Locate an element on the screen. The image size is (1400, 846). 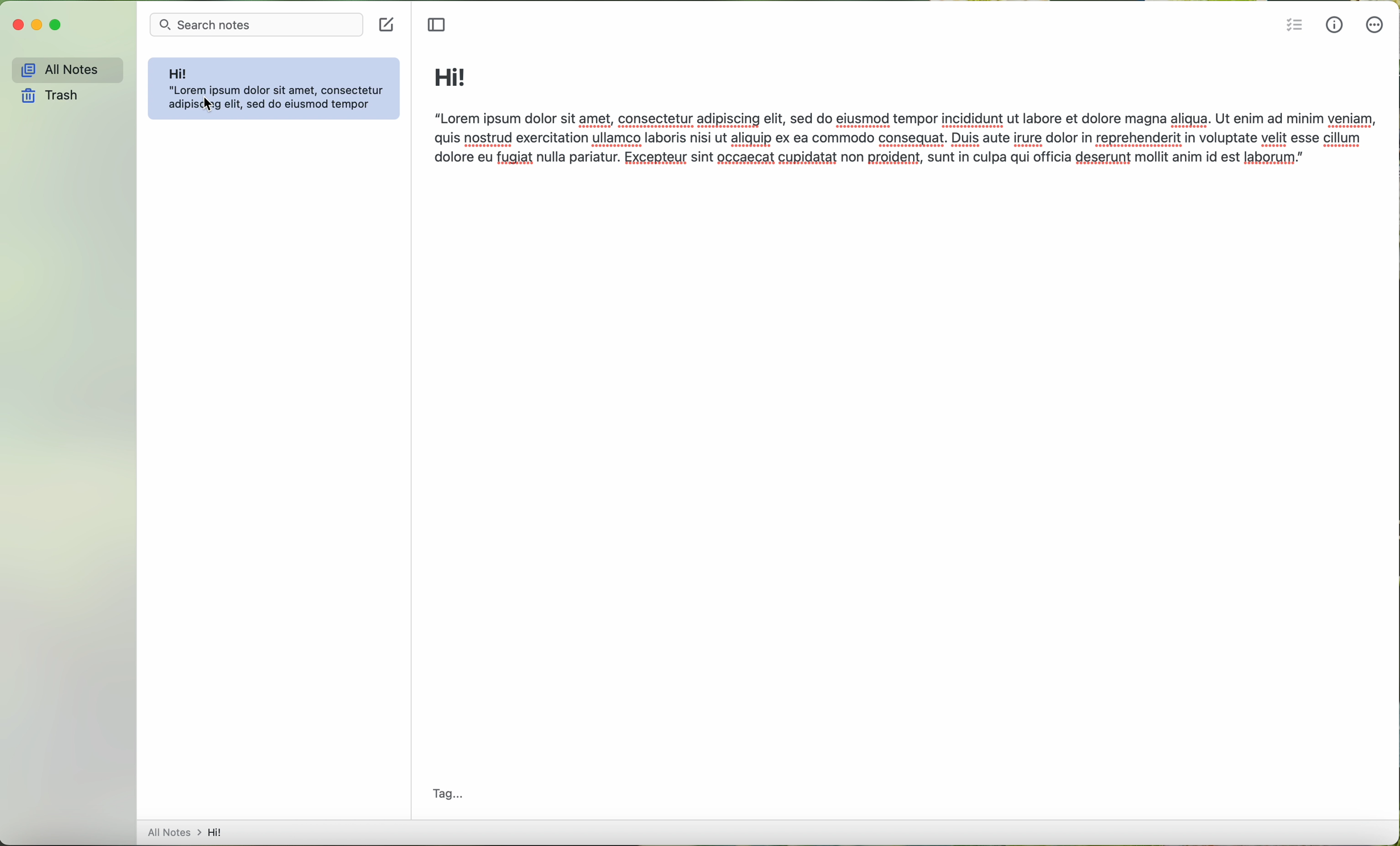
Hi! note is located at coordinates (276, 89).